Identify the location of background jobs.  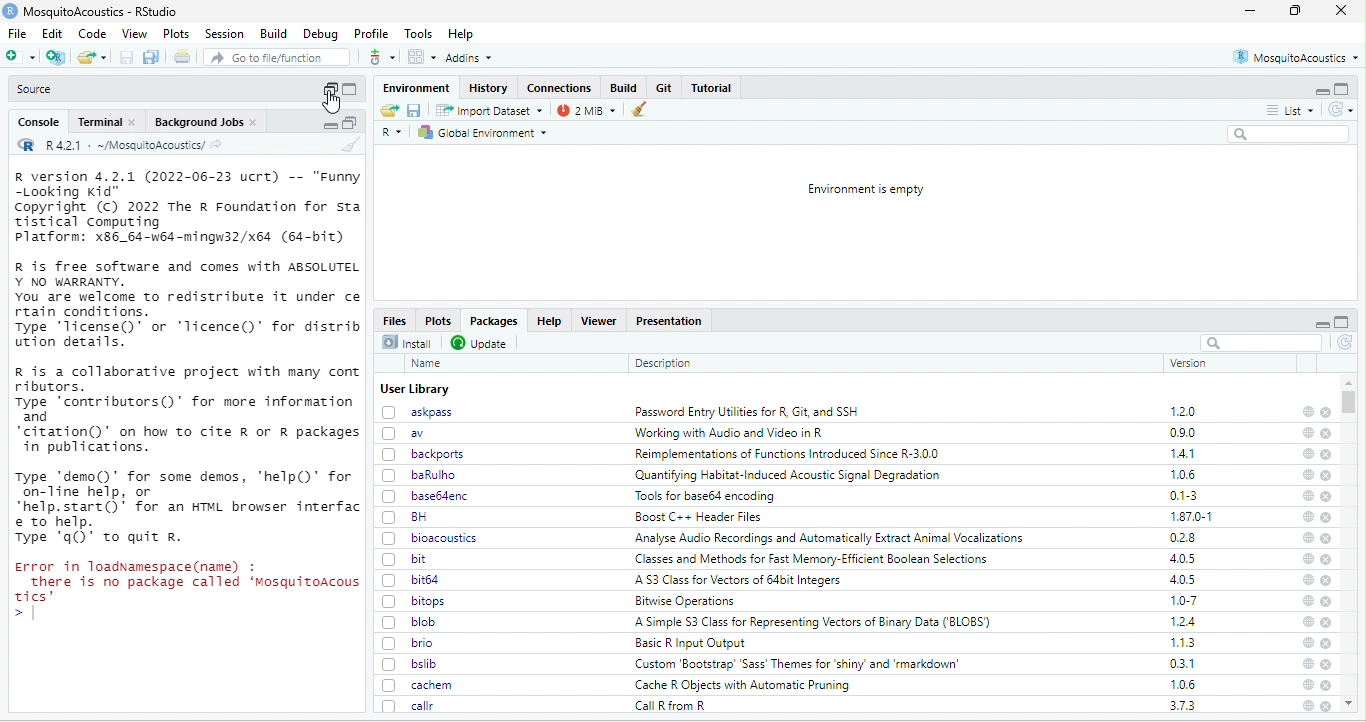
(208, 123).